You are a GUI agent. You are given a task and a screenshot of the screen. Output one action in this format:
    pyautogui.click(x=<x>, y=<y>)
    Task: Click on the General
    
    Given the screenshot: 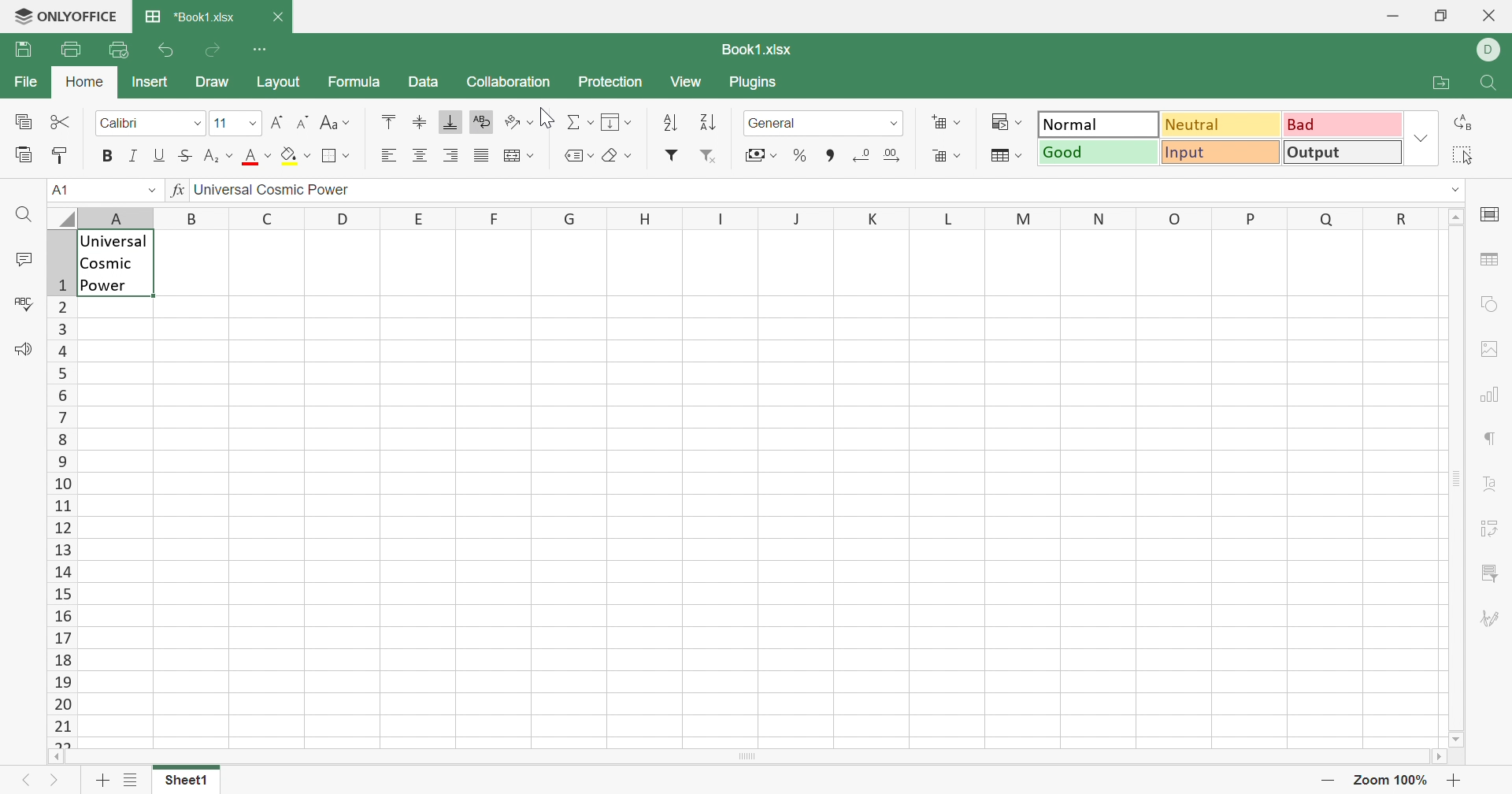 What is the action you would take?
    pyautogui.click(x=776, y=124)
    